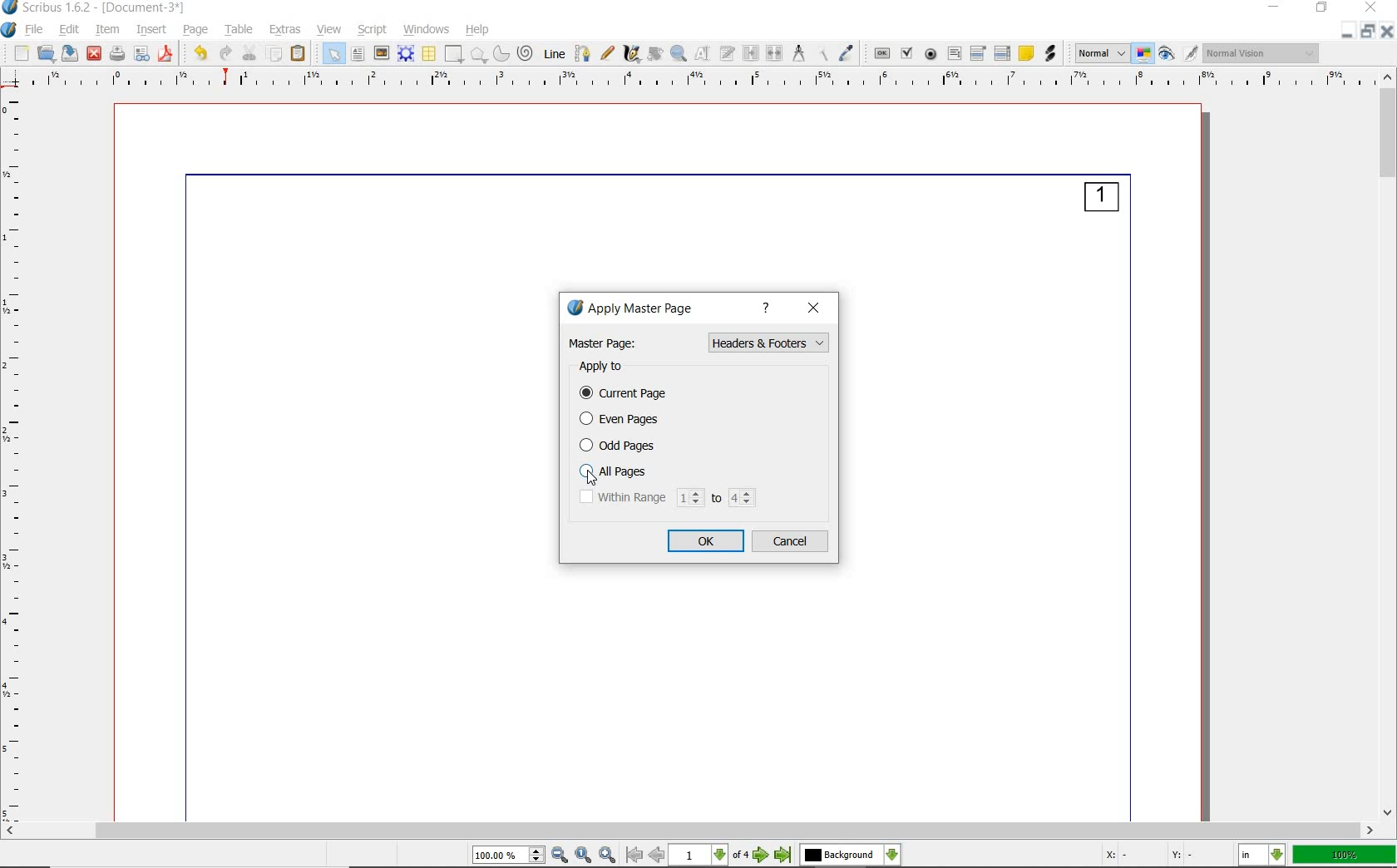 This screenshot has height=868, width=1397. Describe the element at coordinates (1370, 8) in the screenshot. I see `close` at that location.